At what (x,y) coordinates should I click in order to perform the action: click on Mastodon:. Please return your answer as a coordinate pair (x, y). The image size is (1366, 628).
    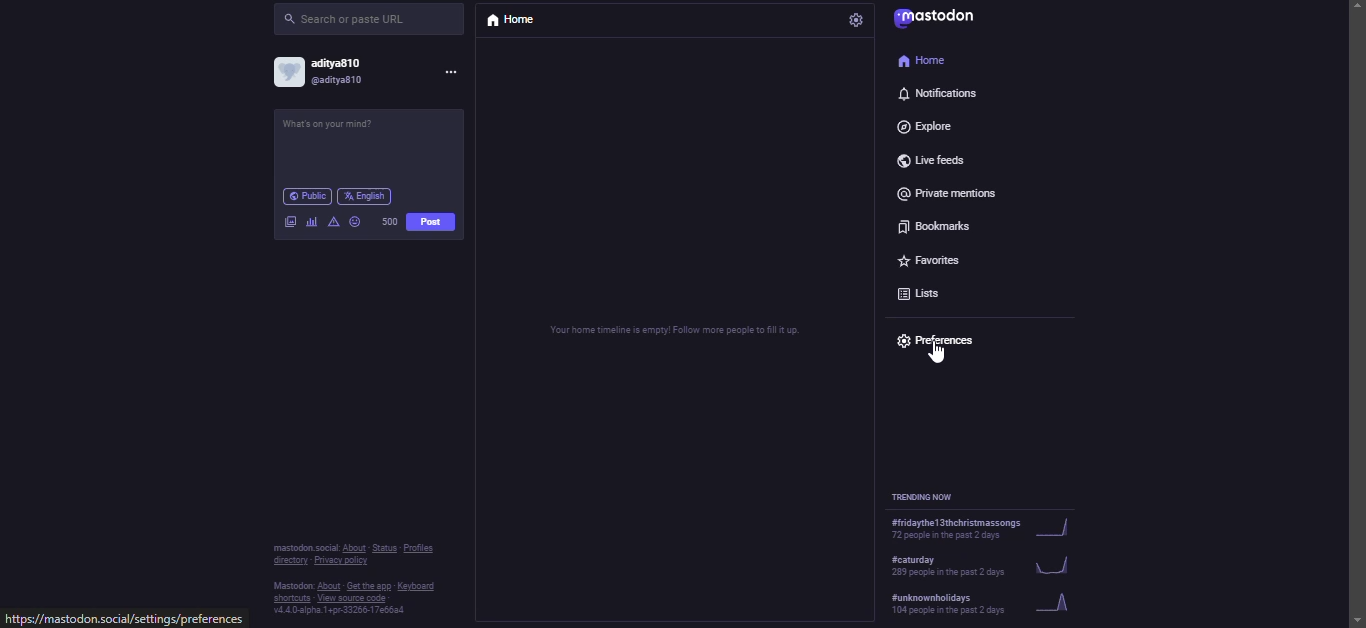
    Looking at the image, I should click on (296, 585).